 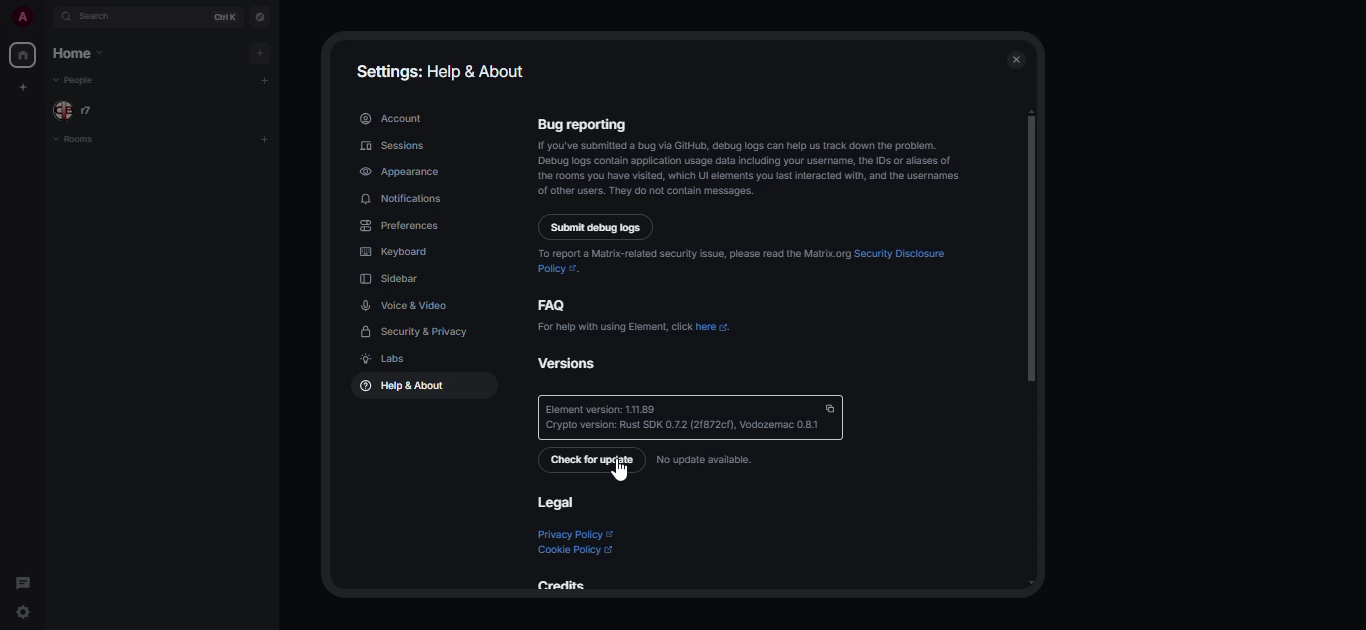 What do you see at coordinates (682, 418) in the screenshot?
I see `‘Element version: 111.89
Crypto version: Rust SDK 0.7.2 (21872cf), Vodozemac 0.81` at bounding box center [682, 418].